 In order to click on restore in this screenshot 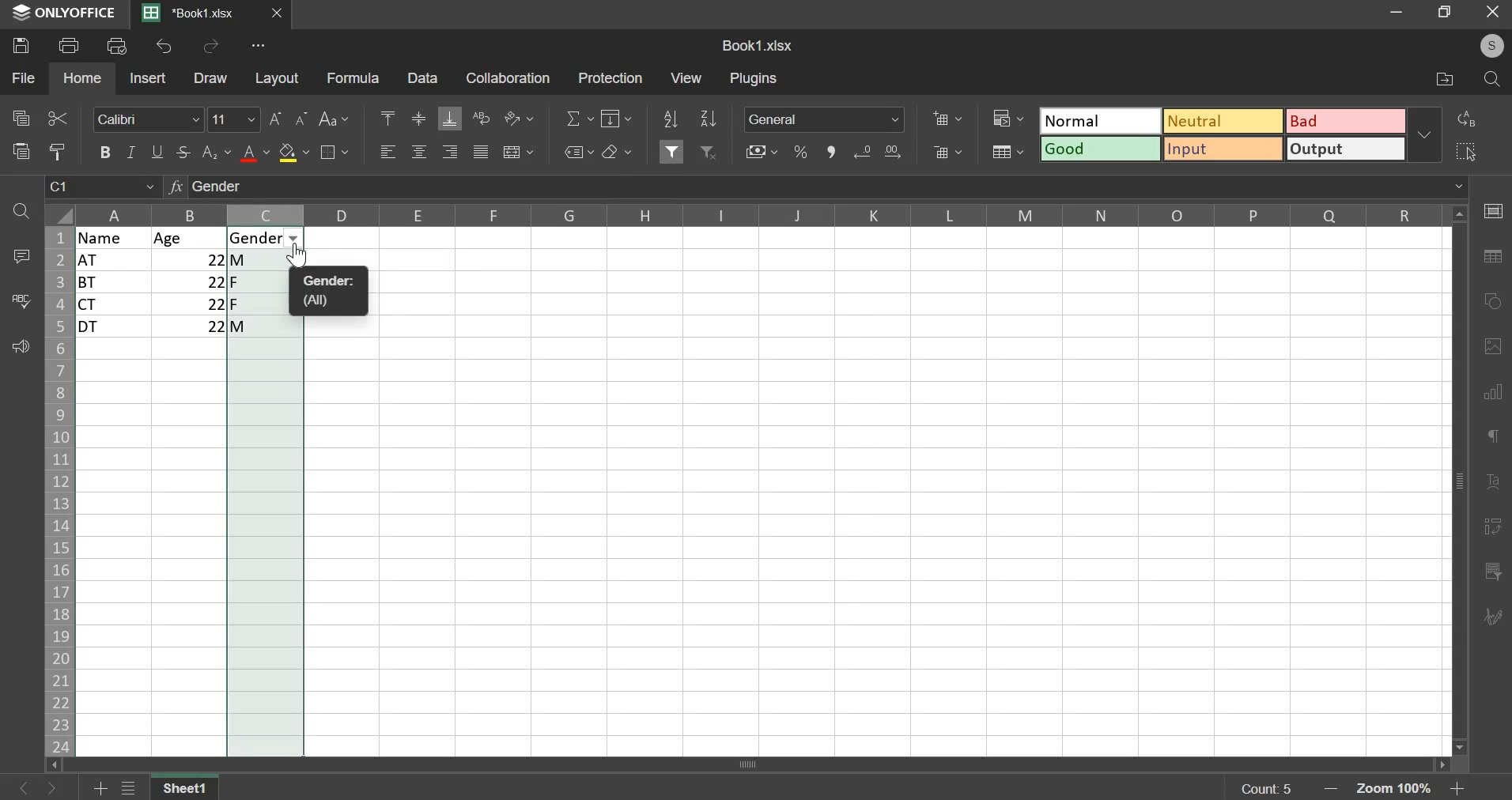, I will do `click(1448, 13)`.